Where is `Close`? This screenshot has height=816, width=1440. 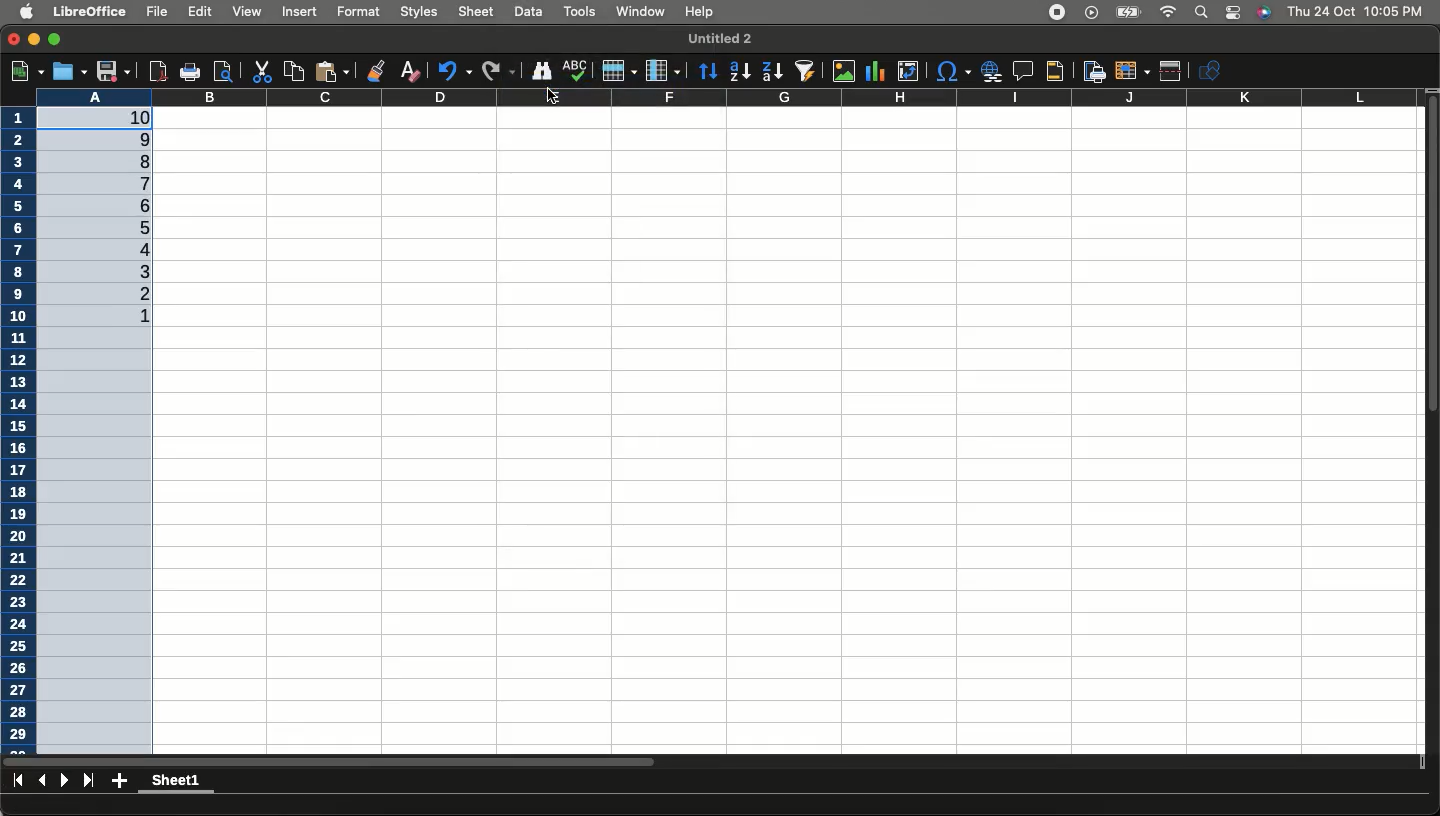
Close is located at coordinates (14, 40).